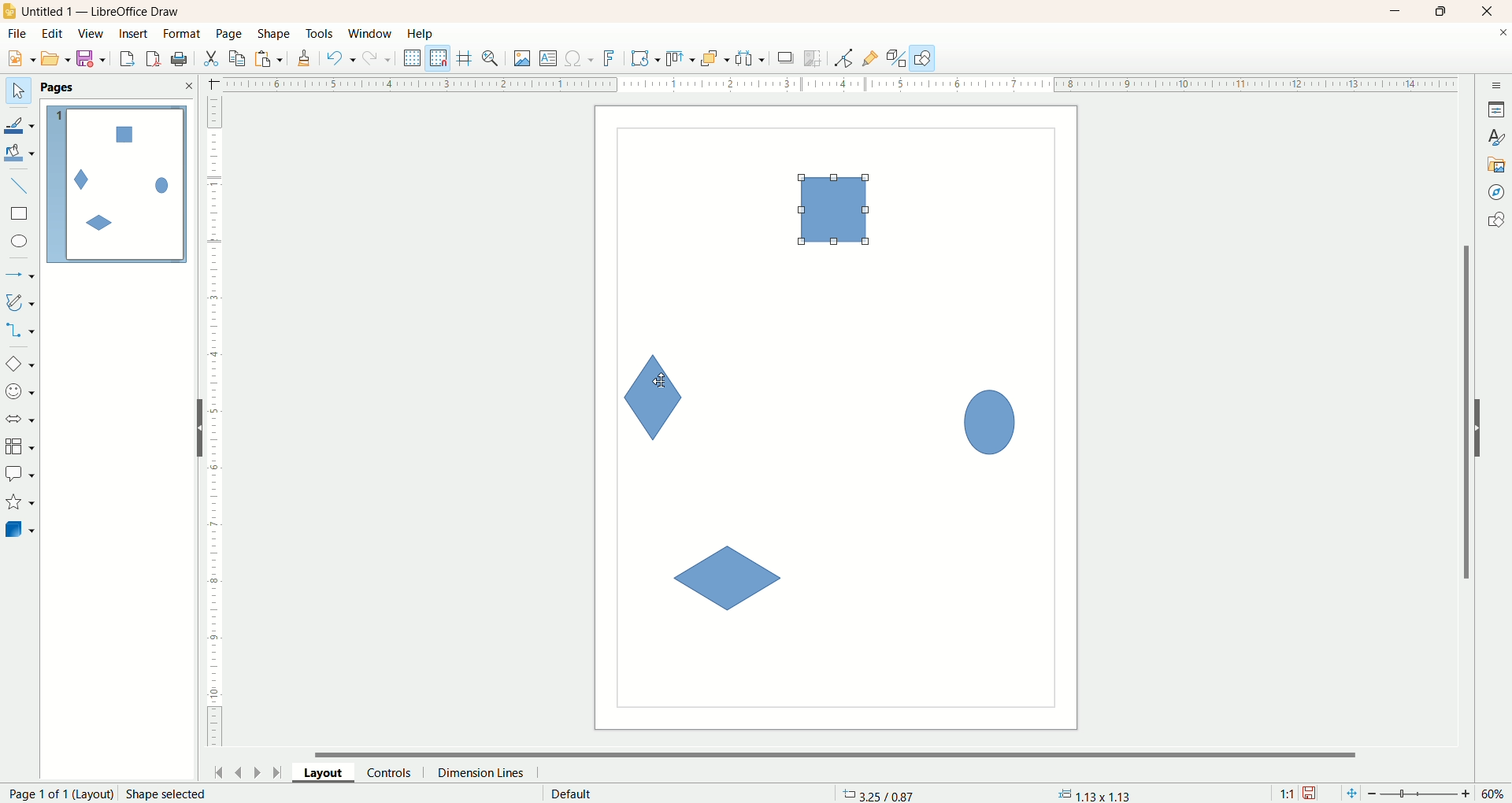  What do you see at coordinates (117, 184) in the screenshot?
I see `page1` at bounding box center [117, 184].